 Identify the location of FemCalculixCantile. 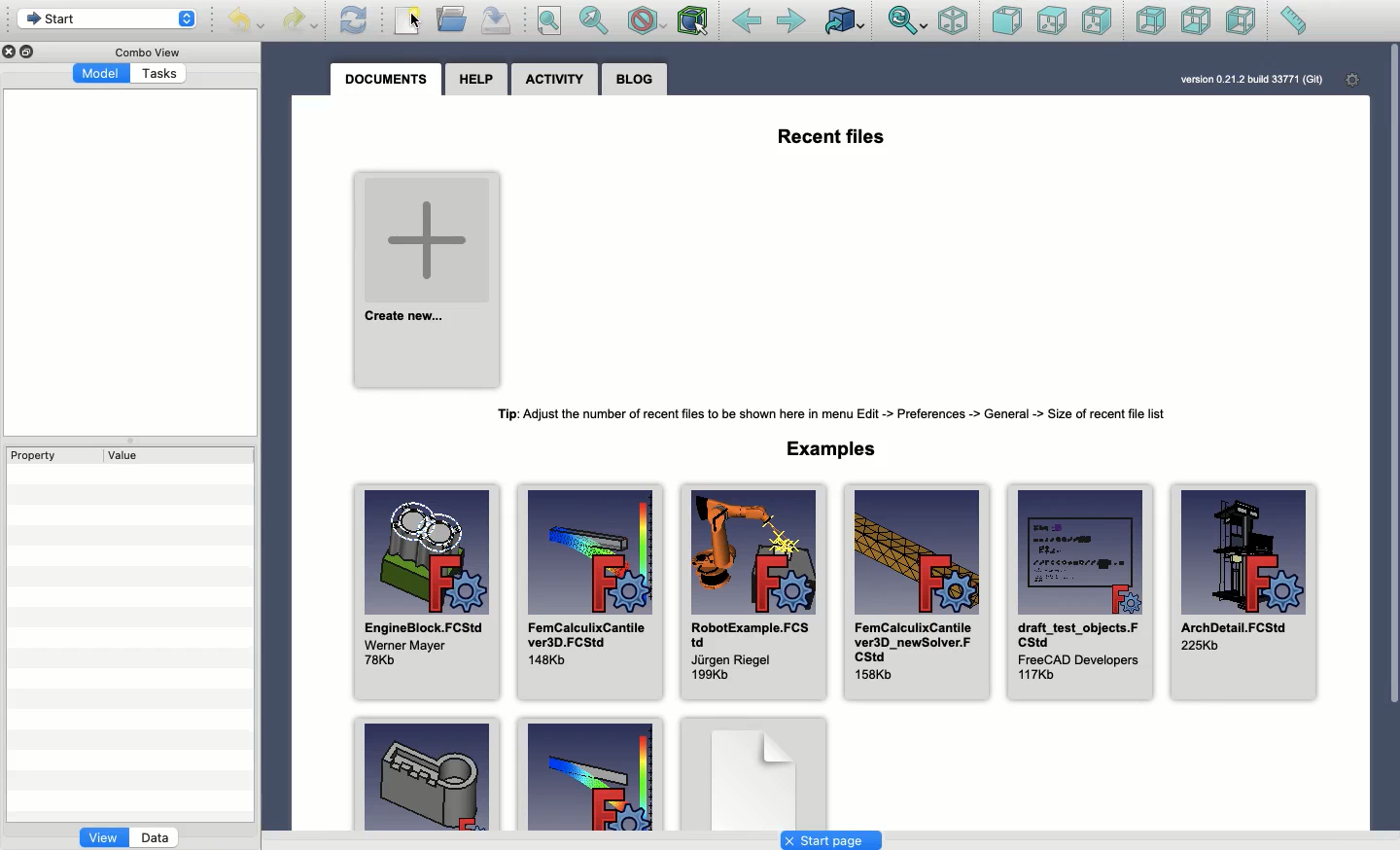
(591, 593).